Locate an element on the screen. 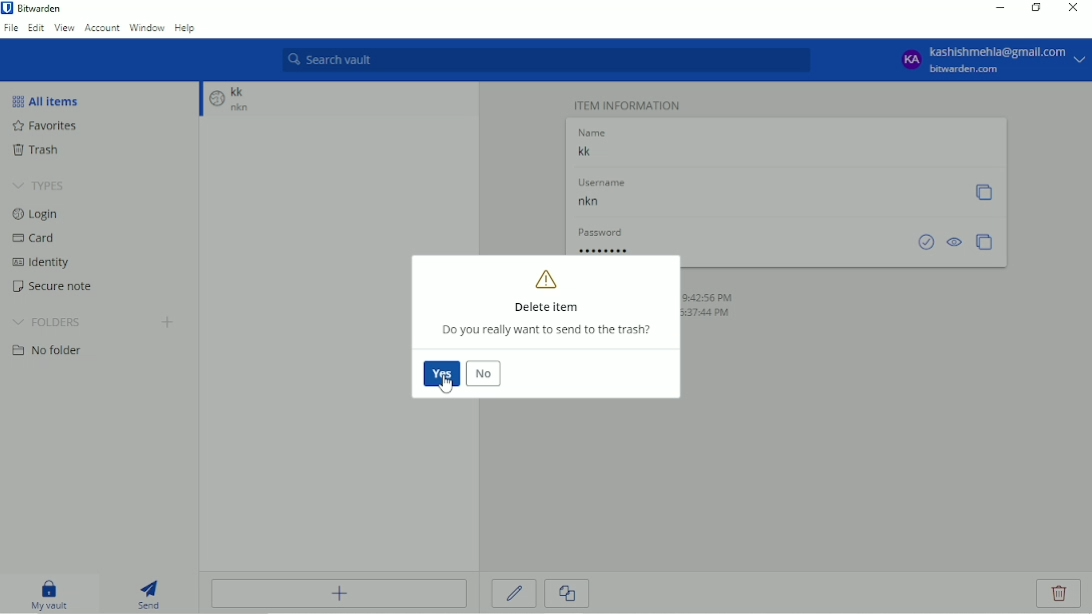  Edit is located at coordinates (36, 28).